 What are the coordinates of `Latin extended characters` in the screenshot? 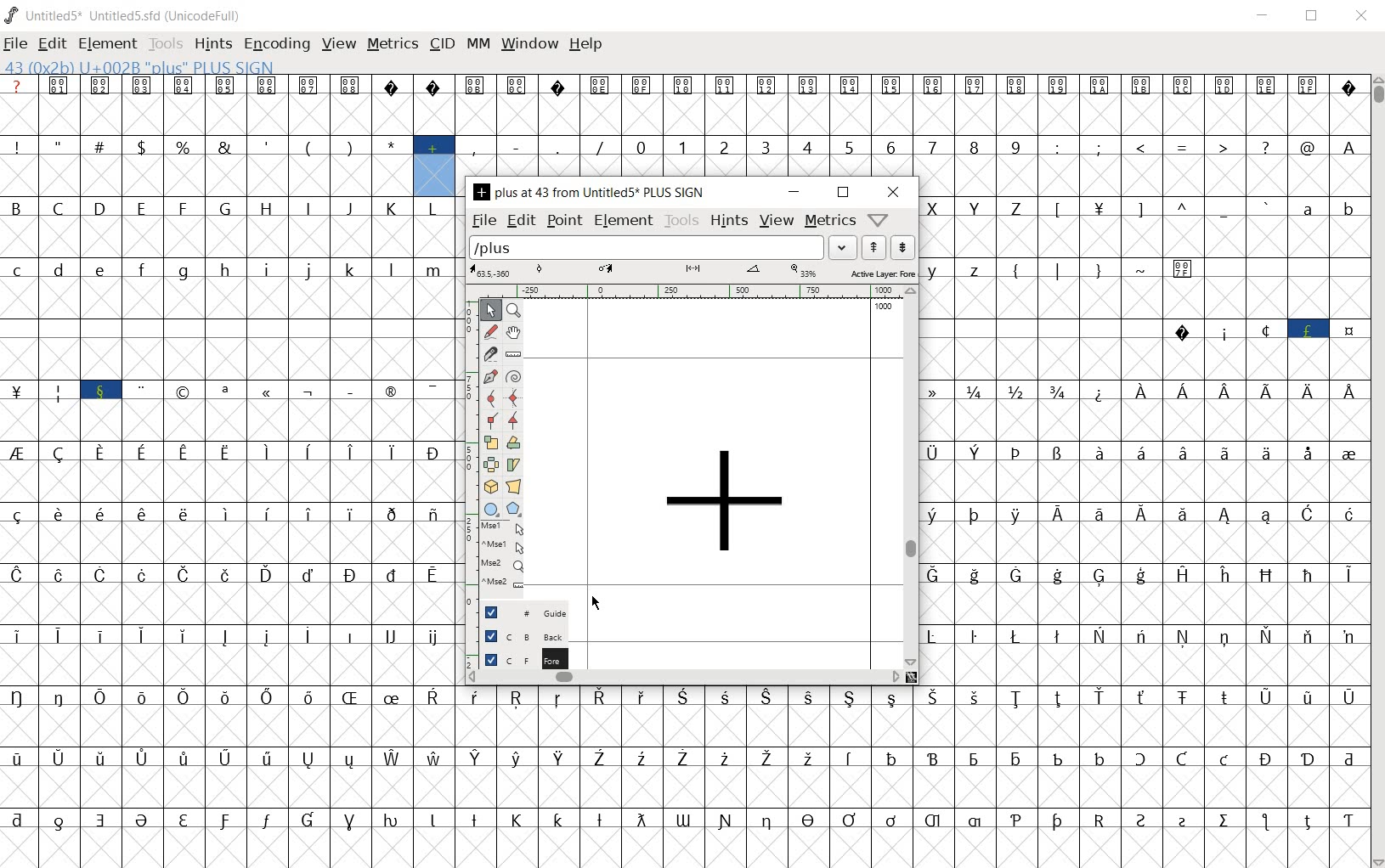 It's located at (1245, 412).